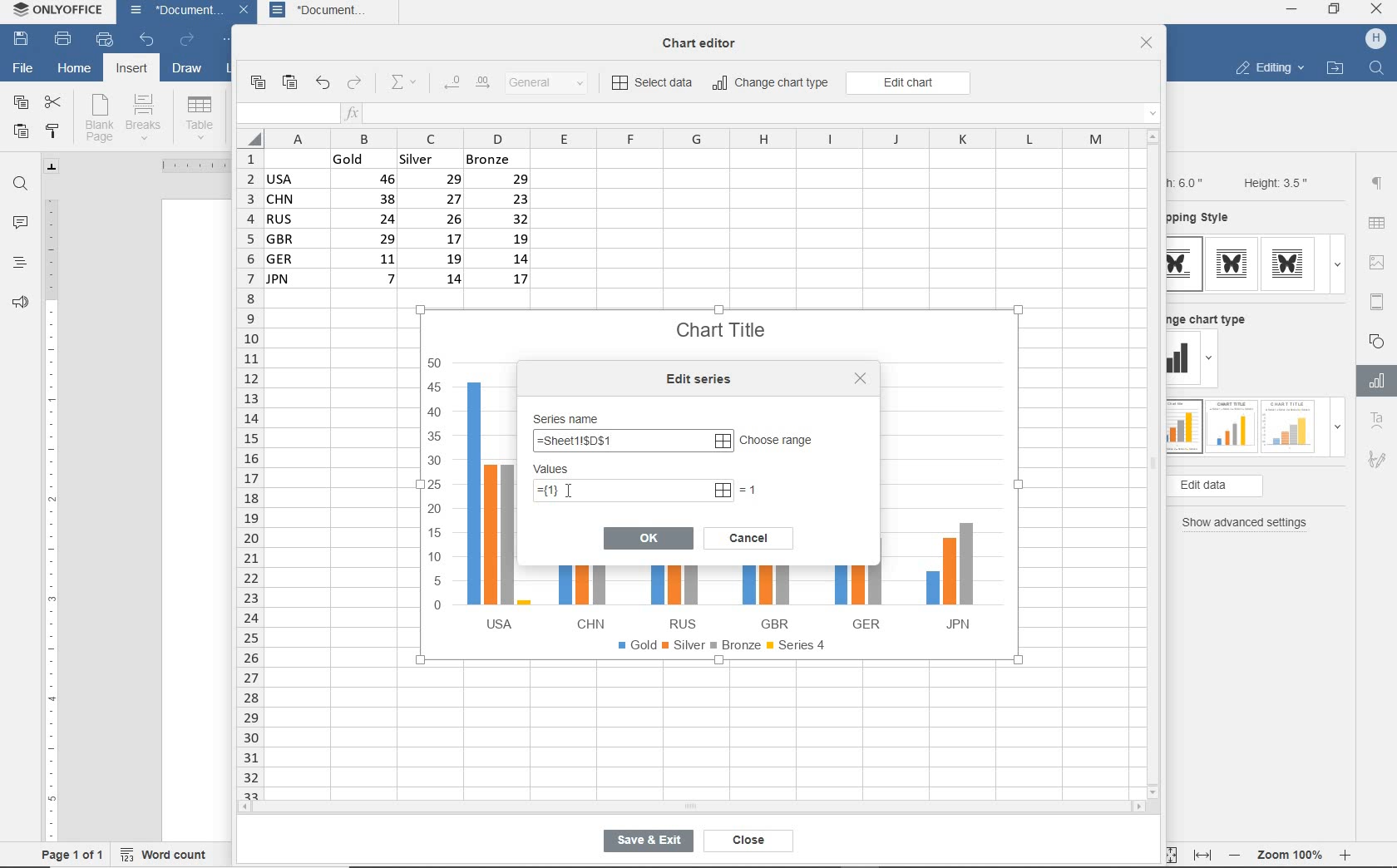  What do you see at coordinates (744, 841) in the screenshot?
I see `close` at bounding box center [744, 841].